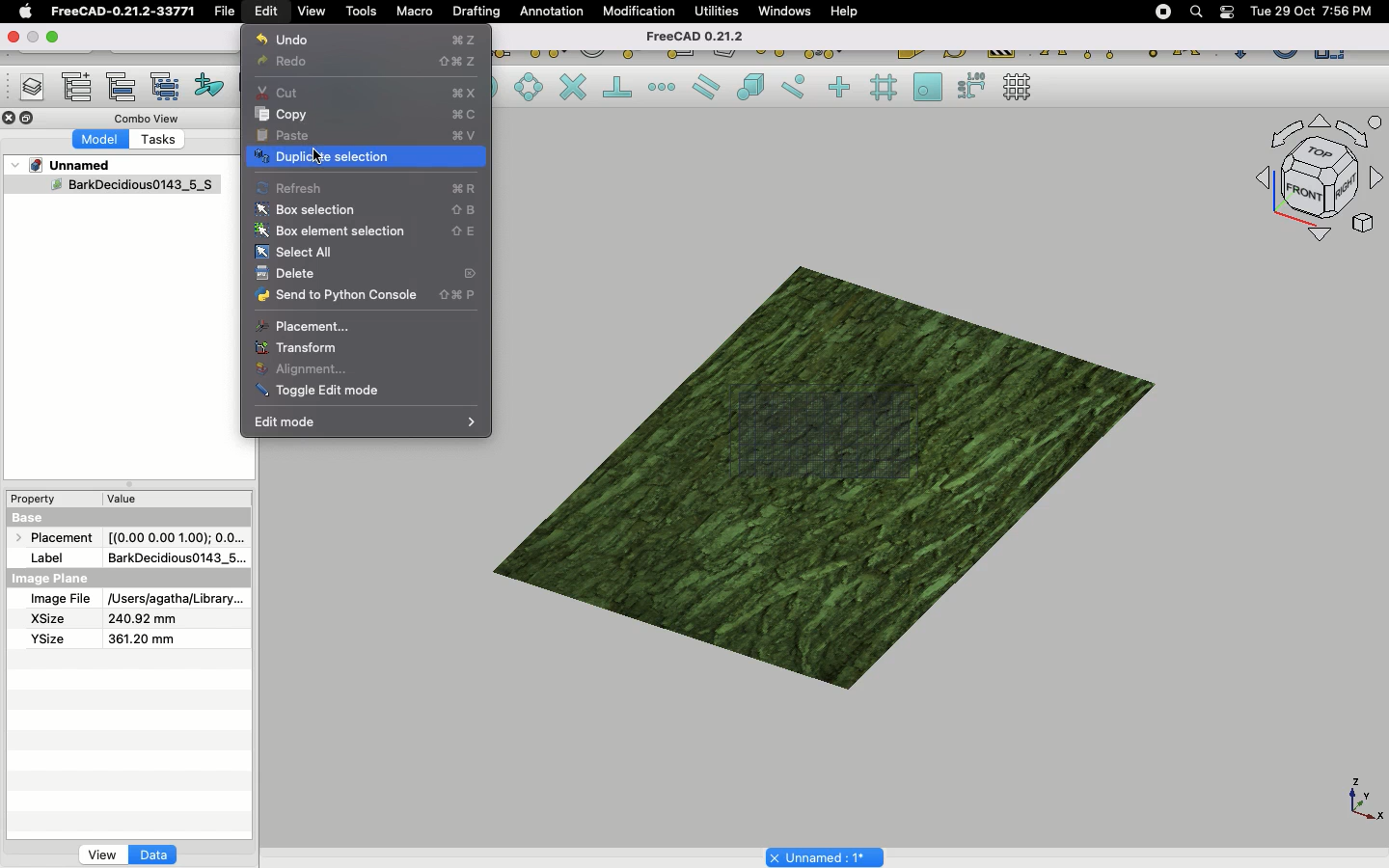 The image size is (1389, 868). I want to click on 0.00 0.00 1.00): 0.0., so click(177, 534).